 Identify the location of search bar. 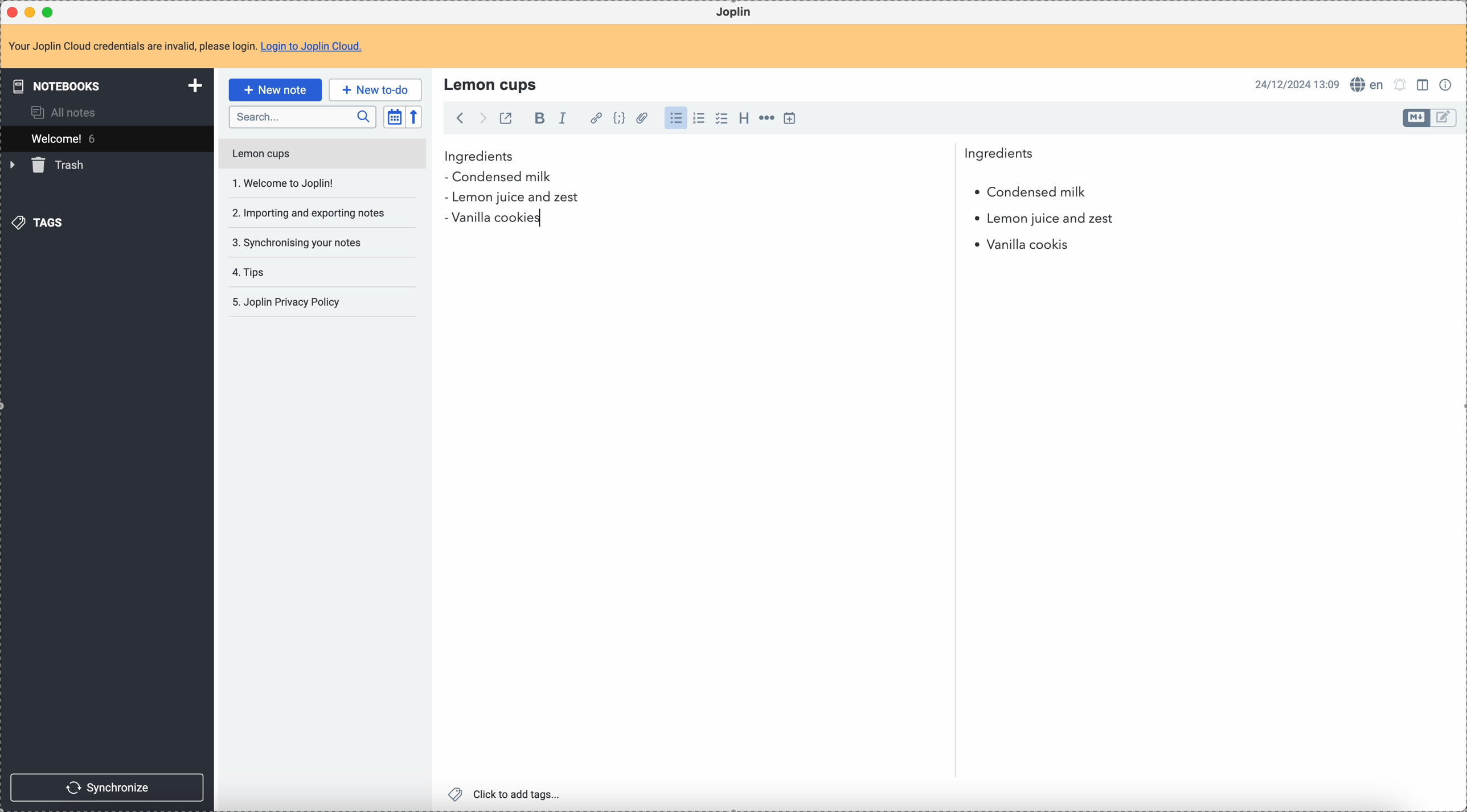
(302, 117).